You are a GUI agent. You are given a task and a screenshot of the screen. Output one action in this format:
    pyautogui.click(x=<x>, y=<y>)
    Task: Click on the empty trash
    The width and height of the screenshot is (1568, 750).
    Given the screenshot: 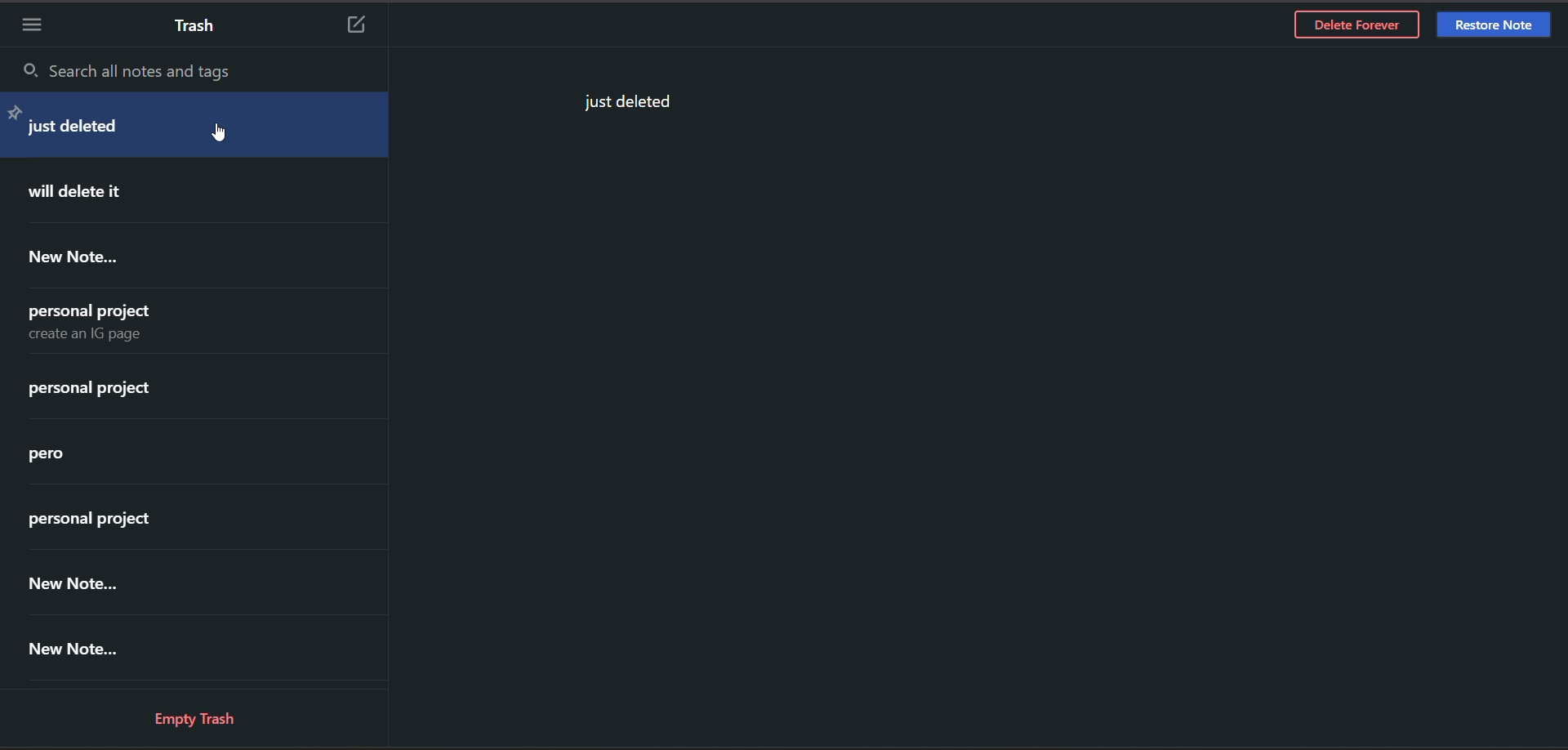 What is the action you would take?
    pyautogui.click(x=203, y=717)
    